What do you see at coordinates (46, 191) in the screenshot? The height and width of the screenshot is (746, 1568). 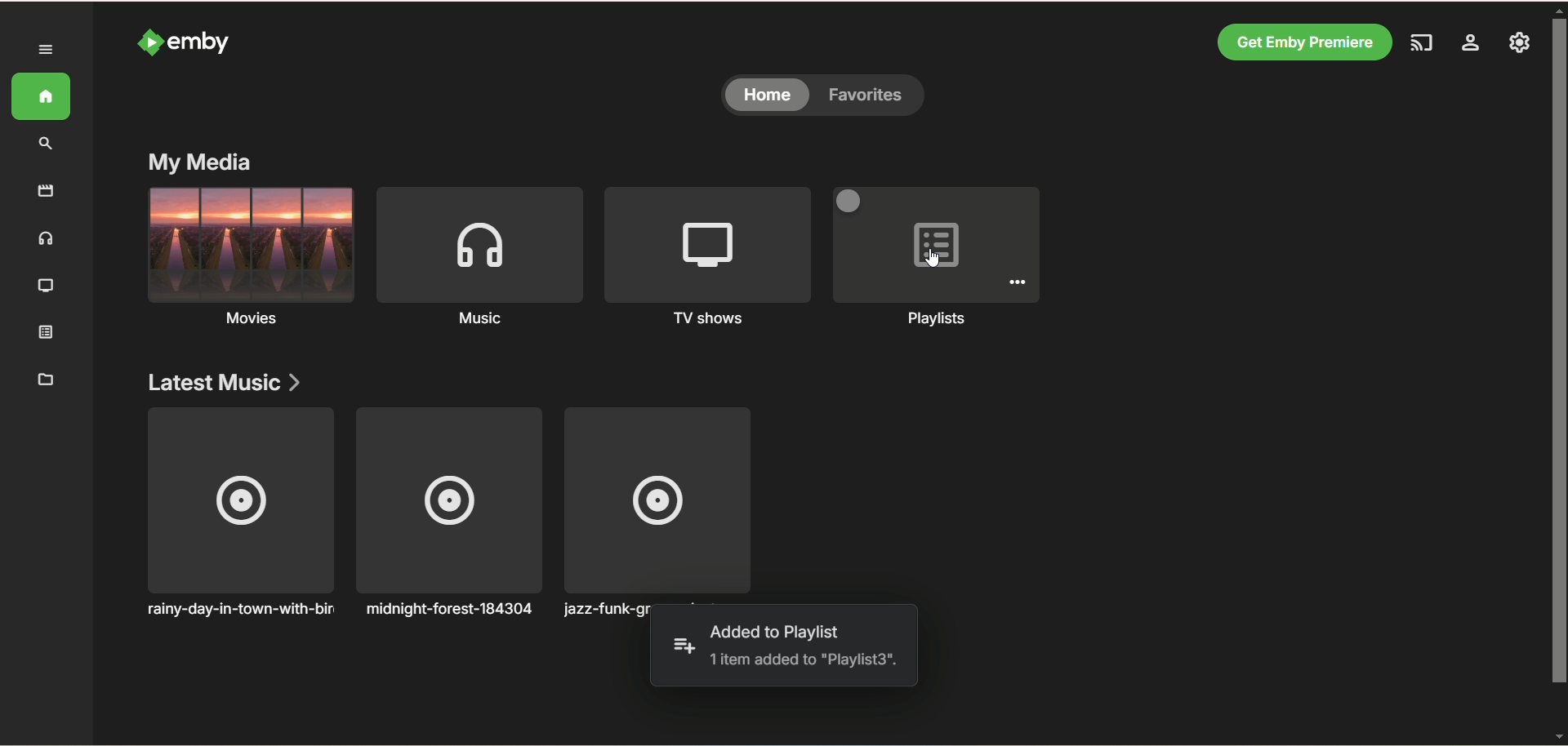 I see `movies` at bounding box center [46, 191].